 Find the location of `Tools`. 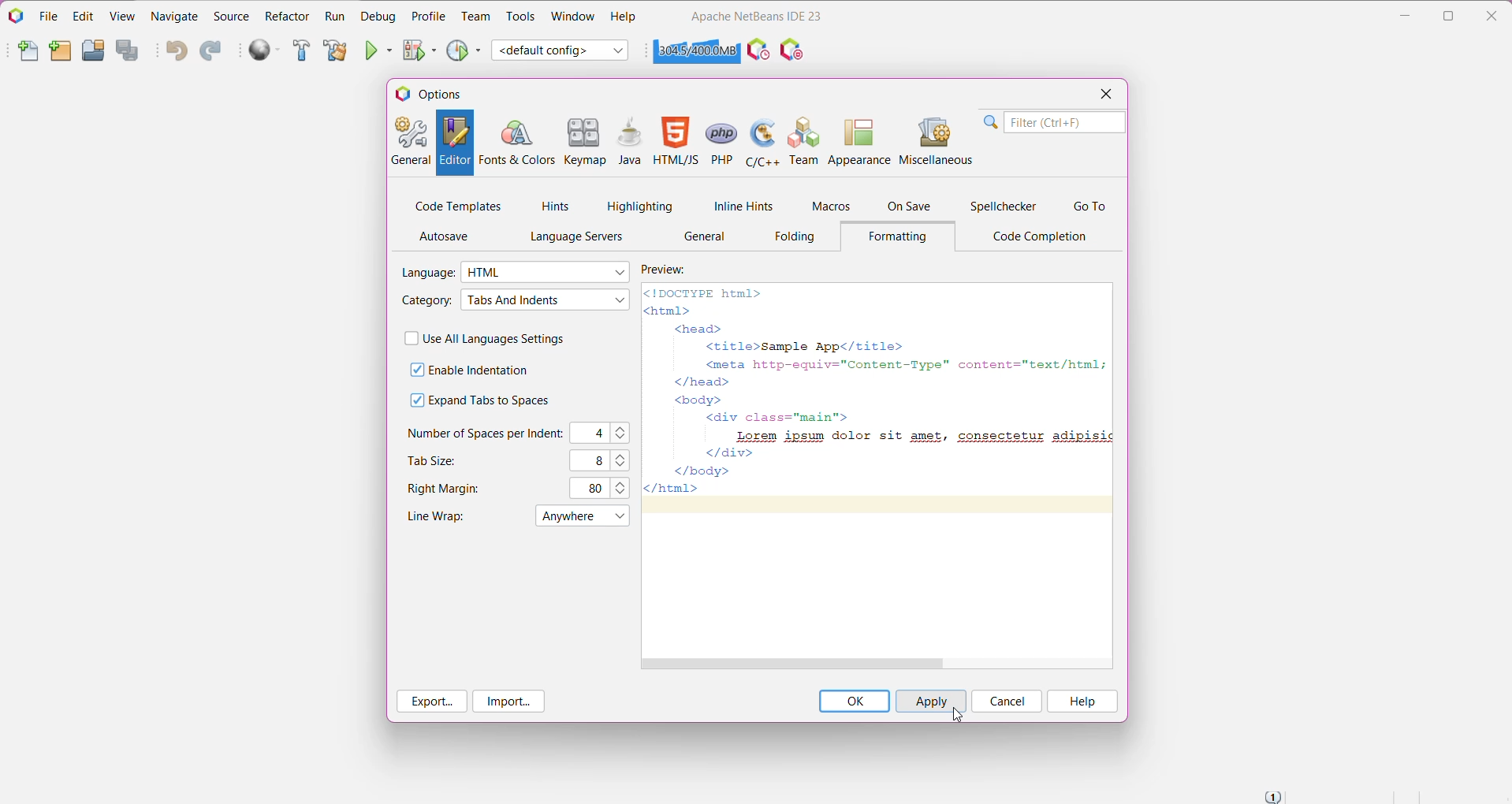

Tools is located at coordinates (518, 17).